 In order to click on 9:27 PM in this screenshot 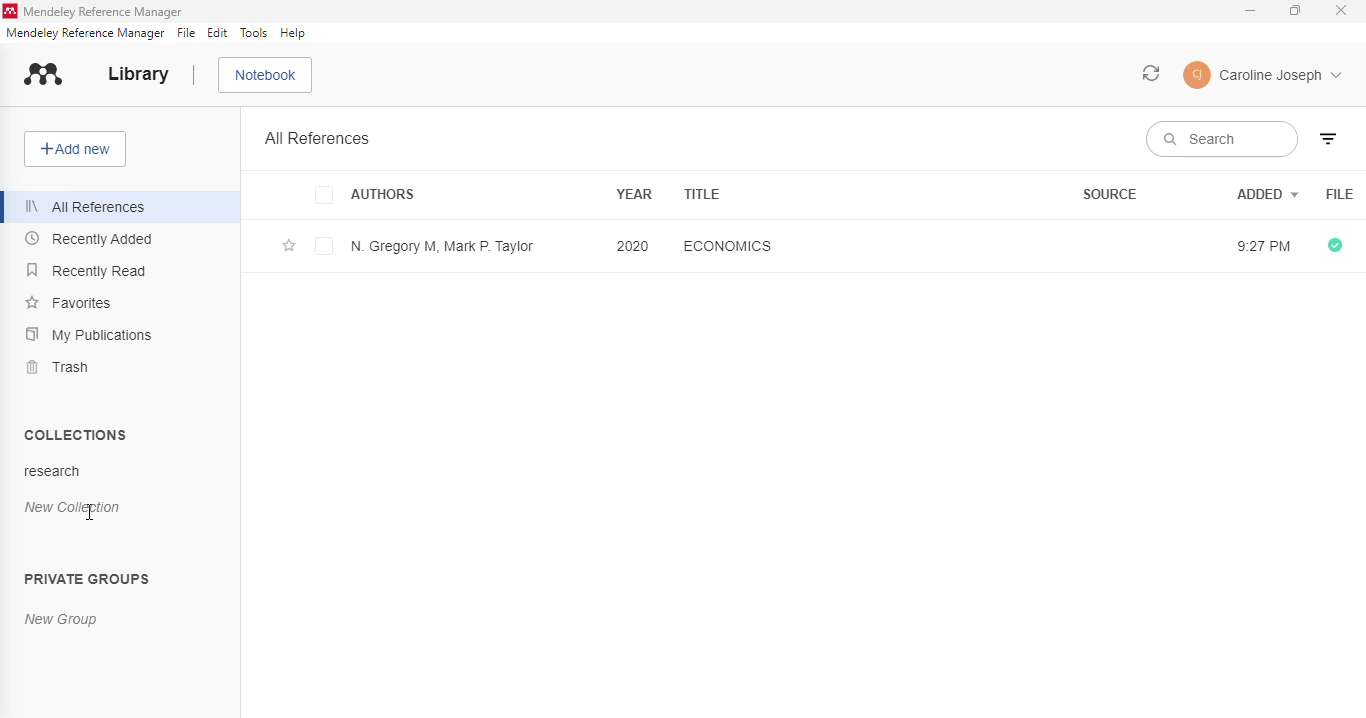, I will do `click(1260, 247)`.